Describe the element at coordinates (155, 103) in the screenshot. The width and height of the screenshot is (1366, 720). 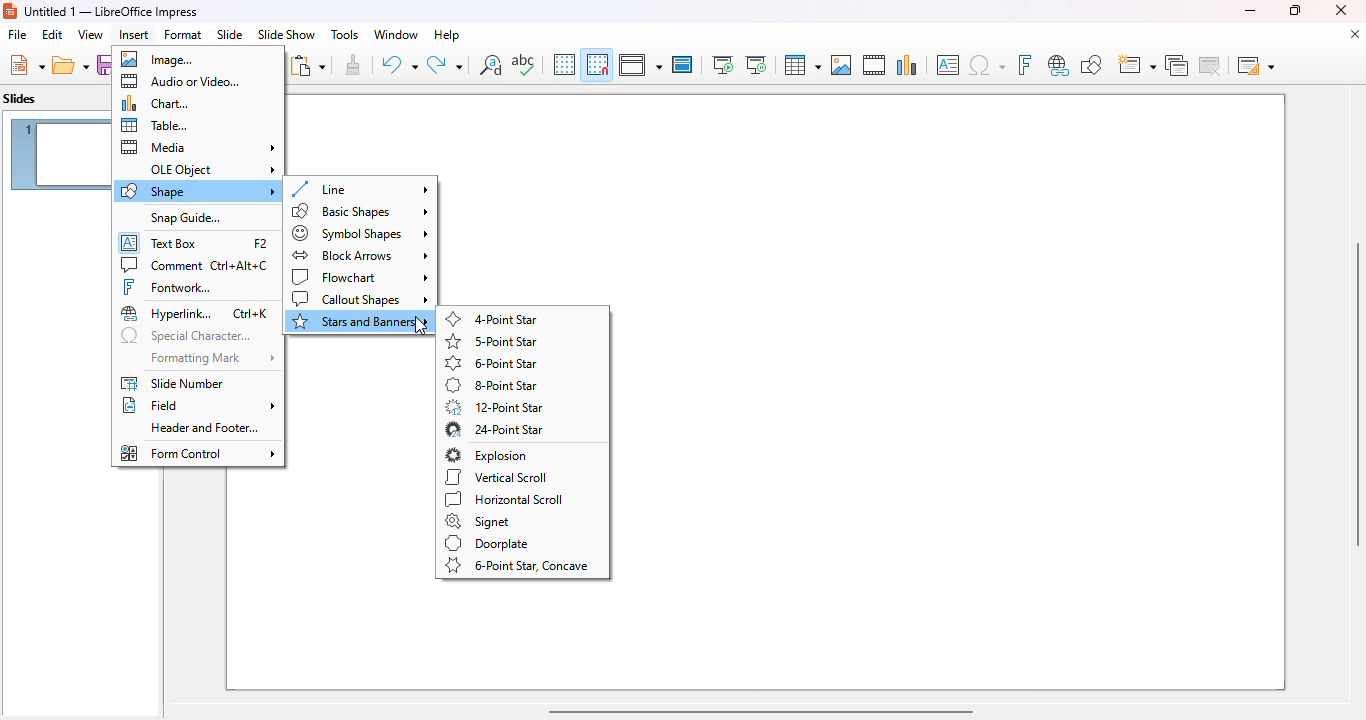
I see `chart` at that location.